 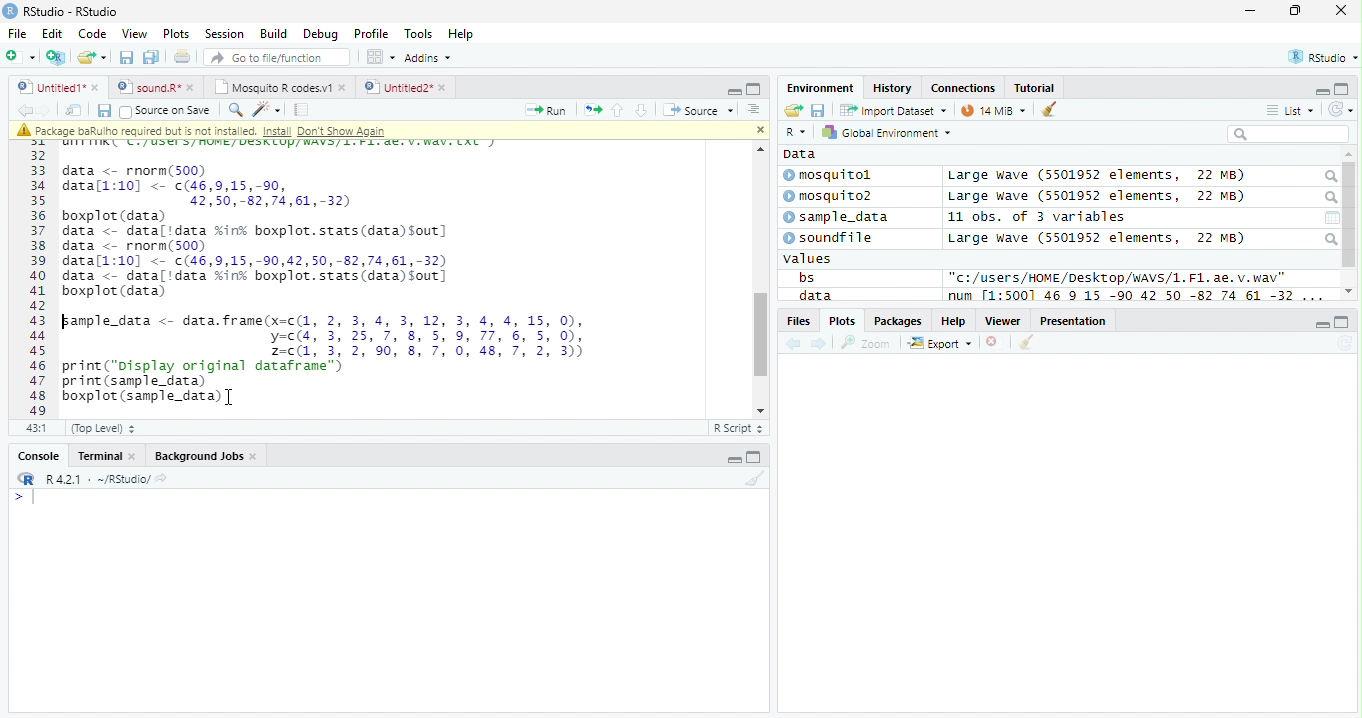 What do you see at coordinates (74, 111) in the screenshot?
I see `Show in new window` at bounding box center [74, 111].